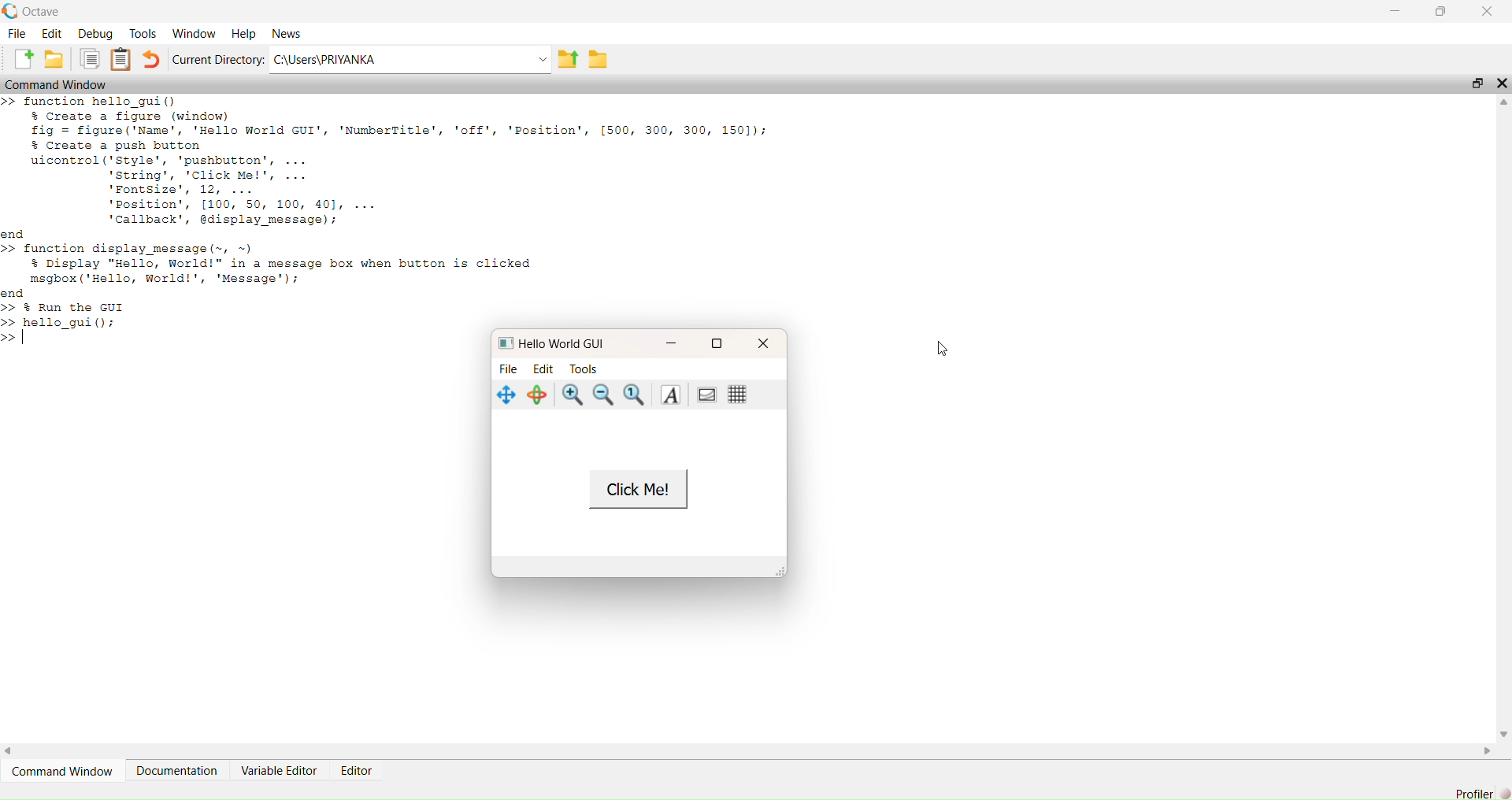 The image size is (1512, 800). Describe the element at coordinates (570, 396) in the screenshot. I see `zoom in` at that location.